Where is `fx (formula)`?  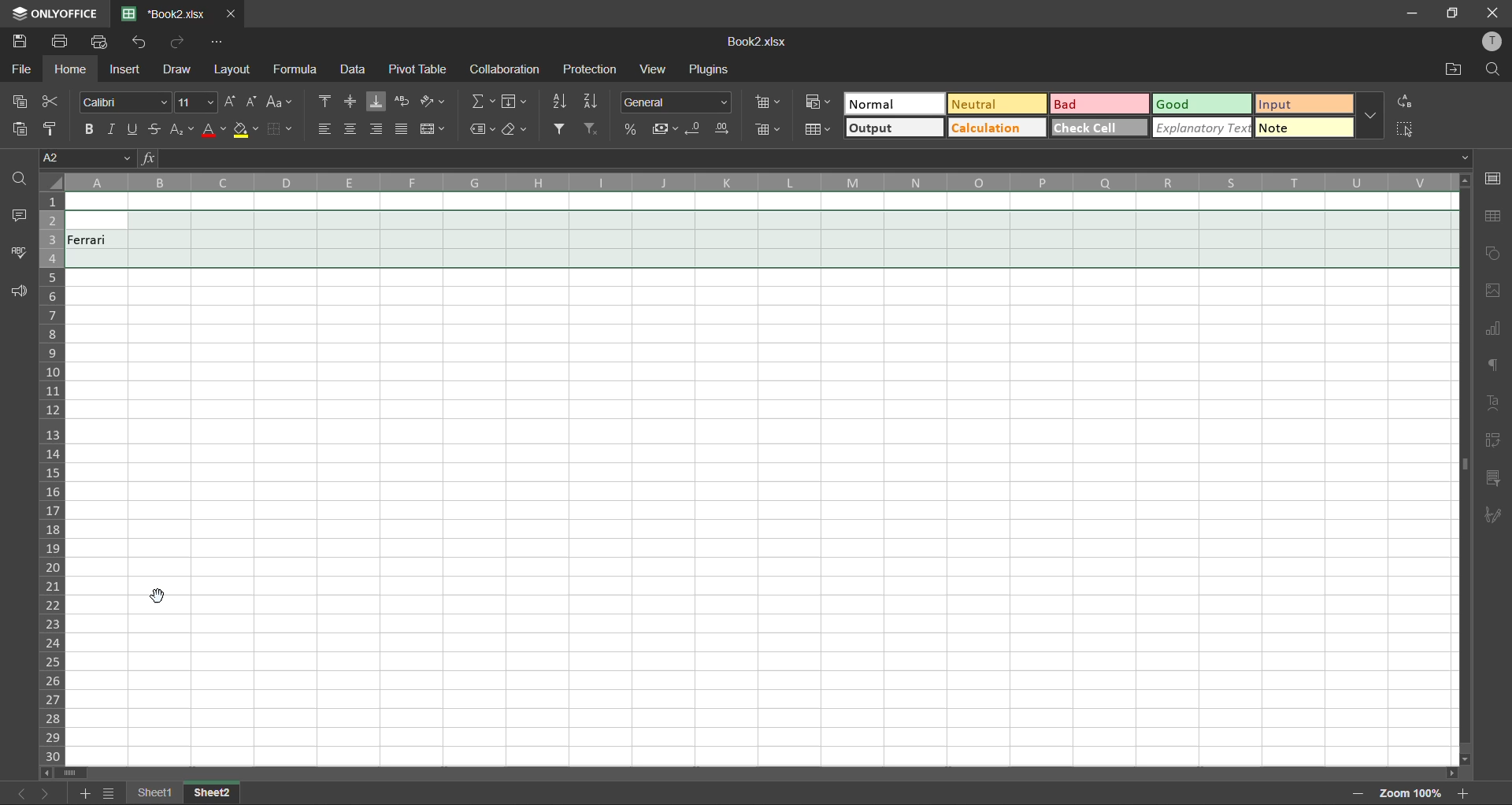
fx (formula) is located at coordinates (148, 158).